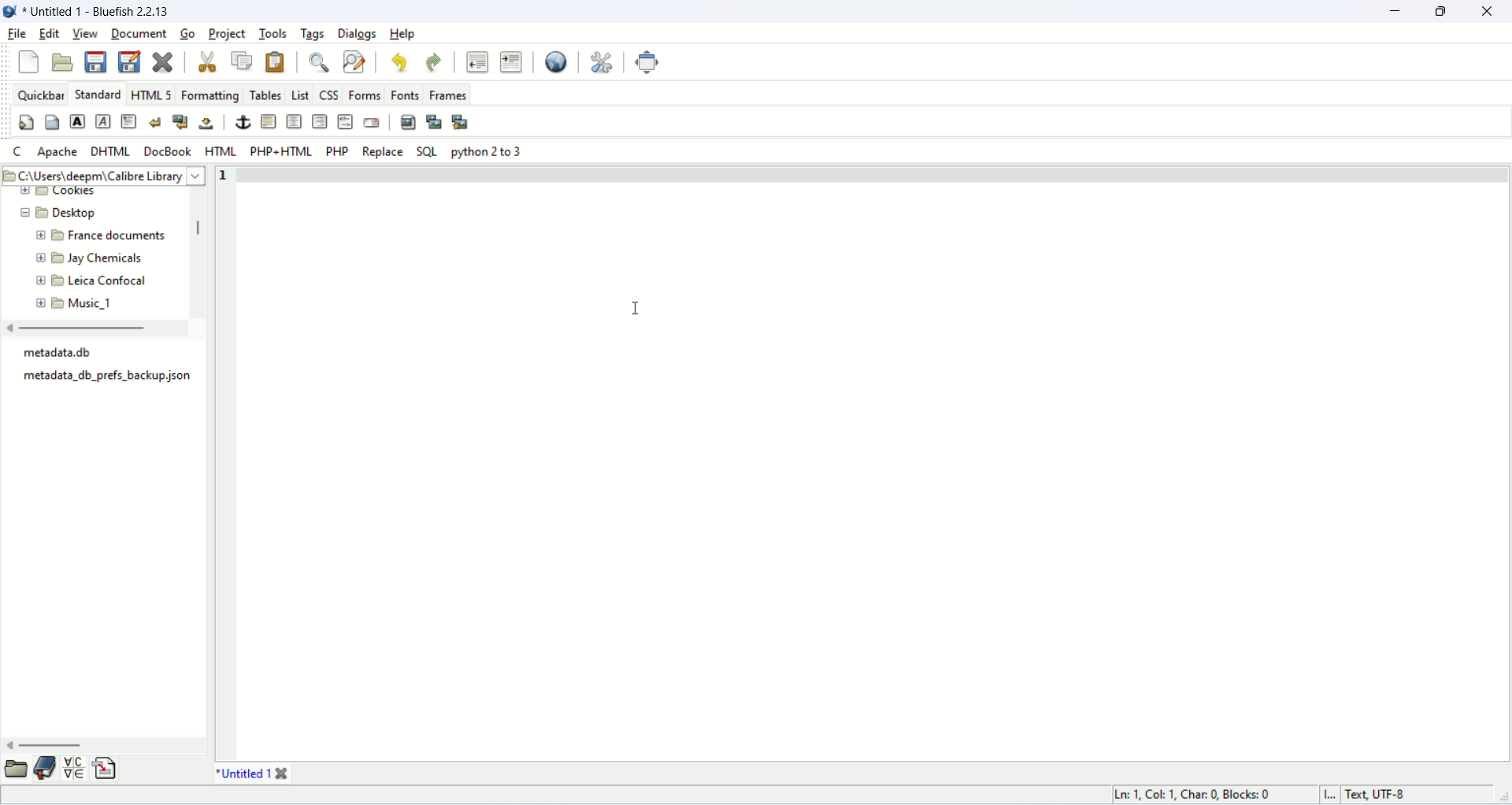  What do you see at coordinates (319, 121) in the screenshot?
I see `right justify` at bounding box center [319, 121].